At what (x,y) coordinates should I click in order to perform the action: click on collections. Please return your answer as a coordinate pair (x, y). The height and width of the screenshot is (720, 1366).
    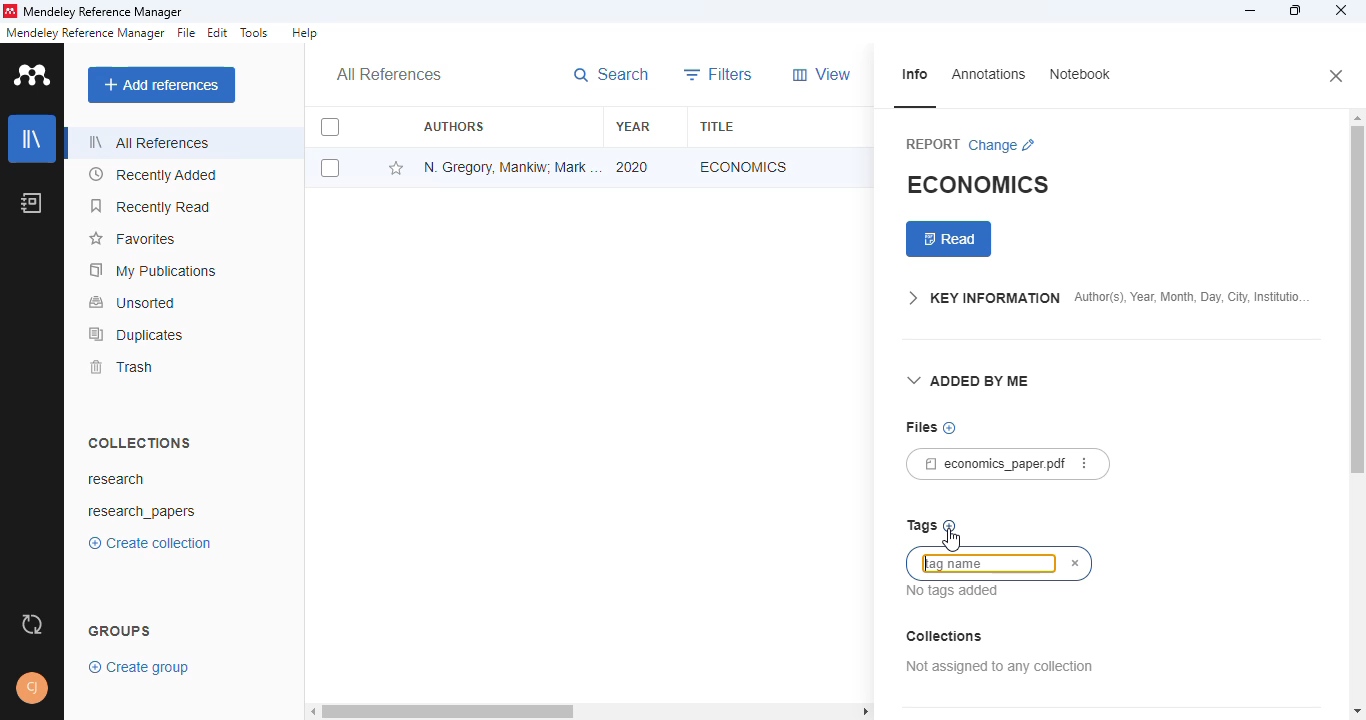
    Looking at the image, I should click on (945, 636).